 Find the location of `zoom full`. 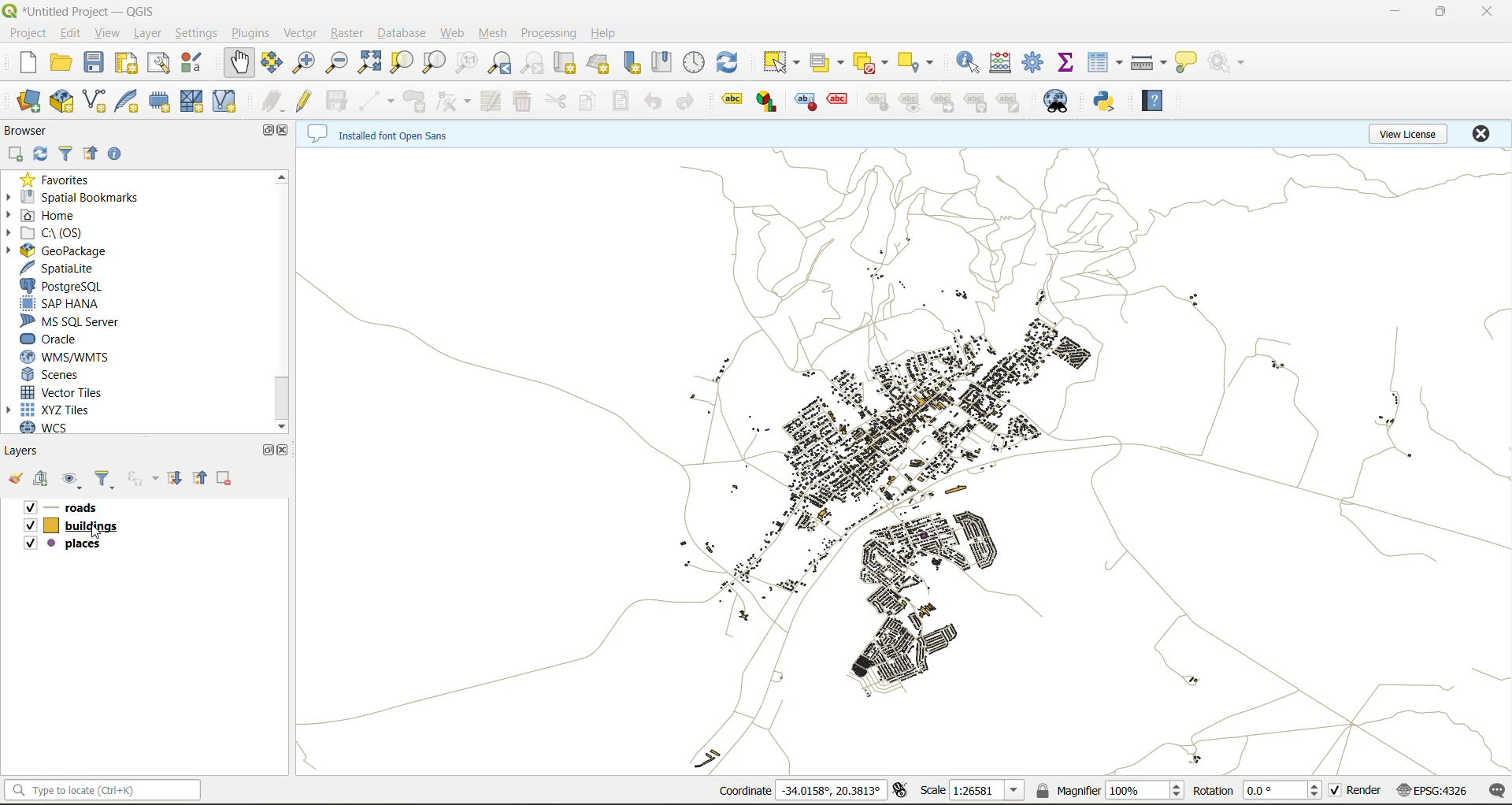

zoom full is located at coordinates (372, 63).